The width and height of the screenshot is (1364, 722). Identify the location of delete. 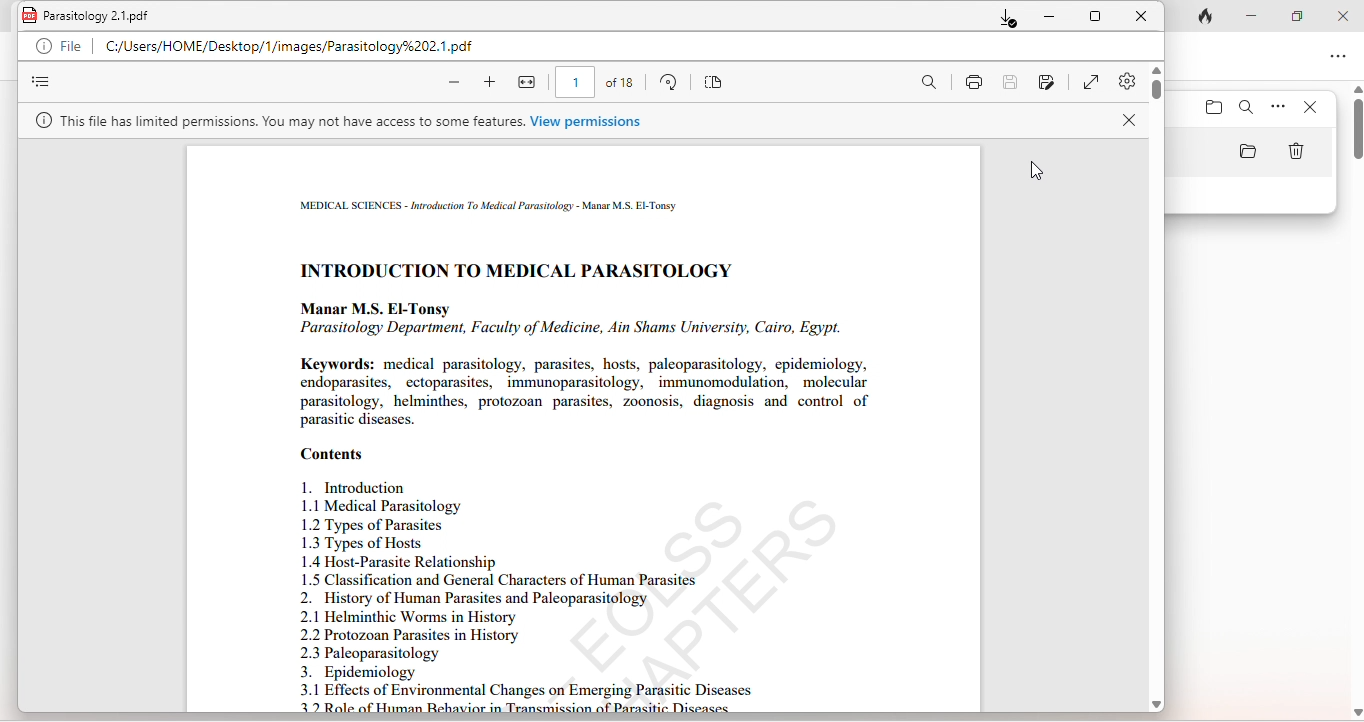
(1300, 152).